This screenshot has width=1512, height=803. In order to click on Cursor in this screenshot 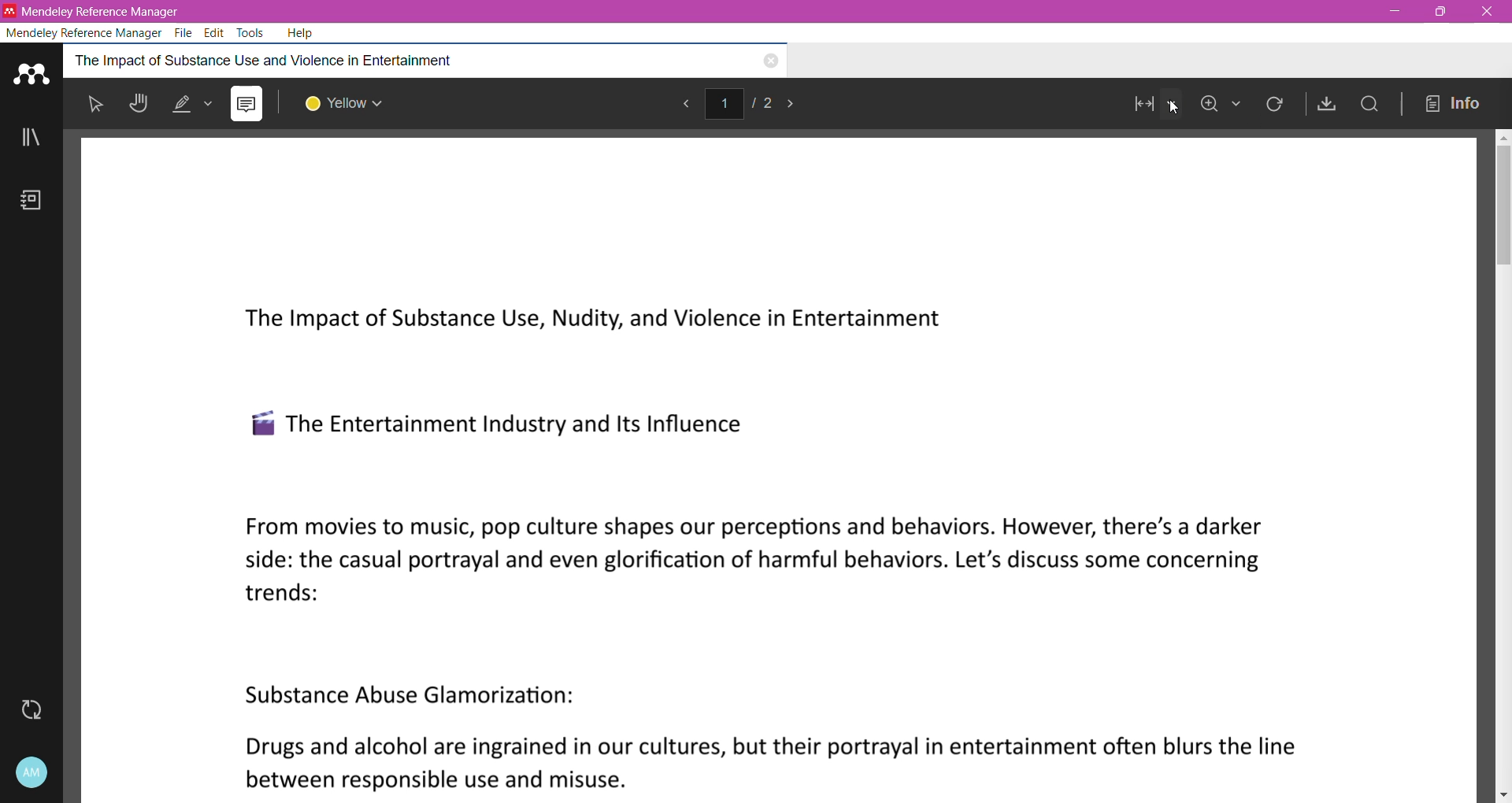, I will do `click(1175, 109)`.